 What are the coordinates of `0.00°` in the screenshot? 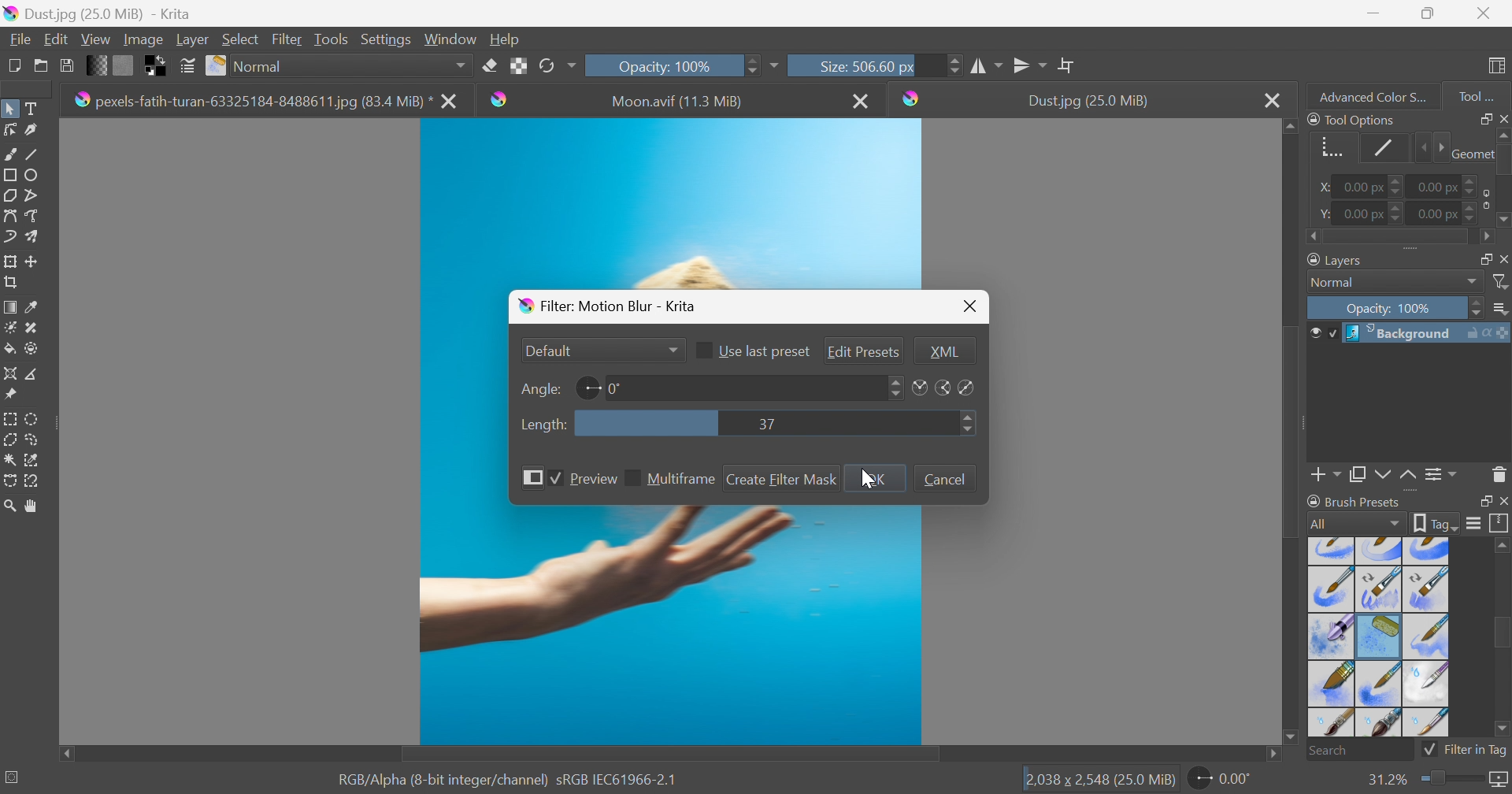 It's located at (1221, 781).